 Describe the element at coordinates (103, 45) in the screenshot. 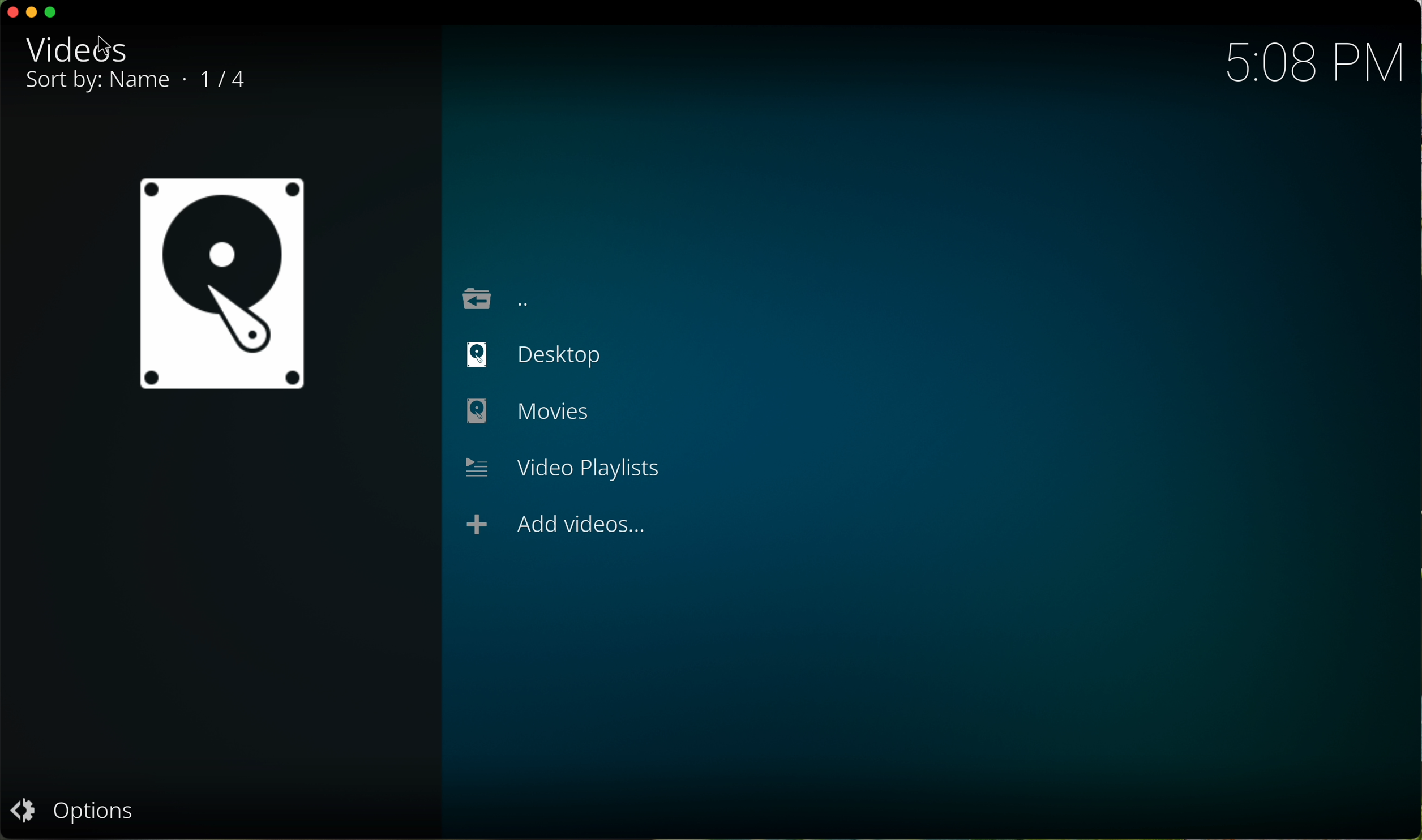

I see `cursor` at that location.